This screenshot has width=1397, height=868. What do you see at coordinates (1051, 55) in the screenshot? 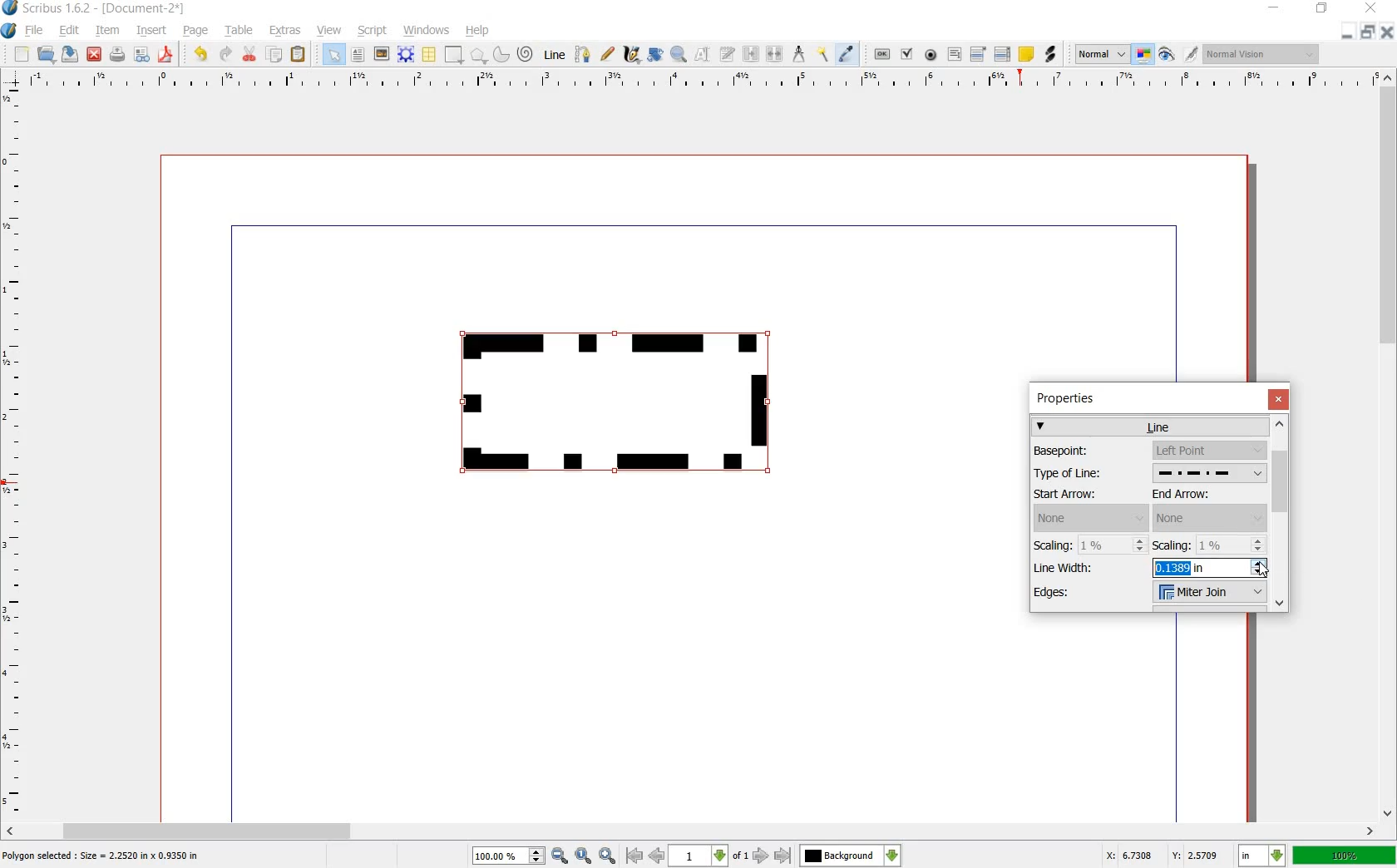
I see `LINK ANNOTATION` at bounding box center [1051, 55].